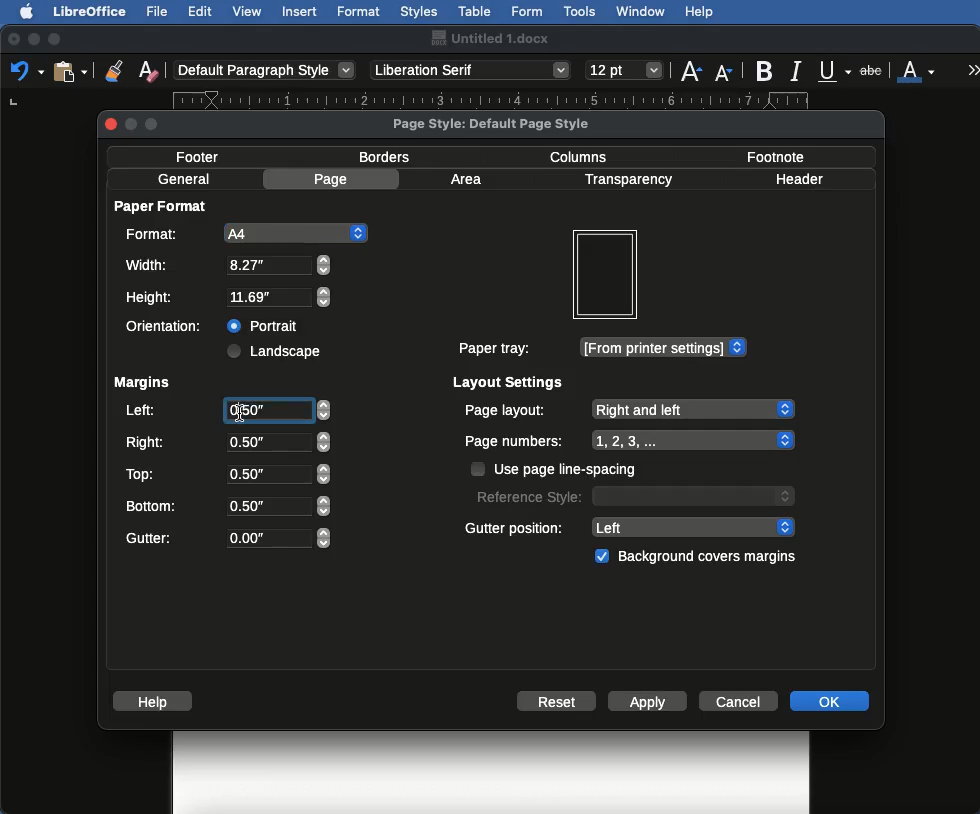 This screenshot has height=814, width=980. Describe the element at coordinates (489, 38) in the screenshot. I see `Name` at that location.